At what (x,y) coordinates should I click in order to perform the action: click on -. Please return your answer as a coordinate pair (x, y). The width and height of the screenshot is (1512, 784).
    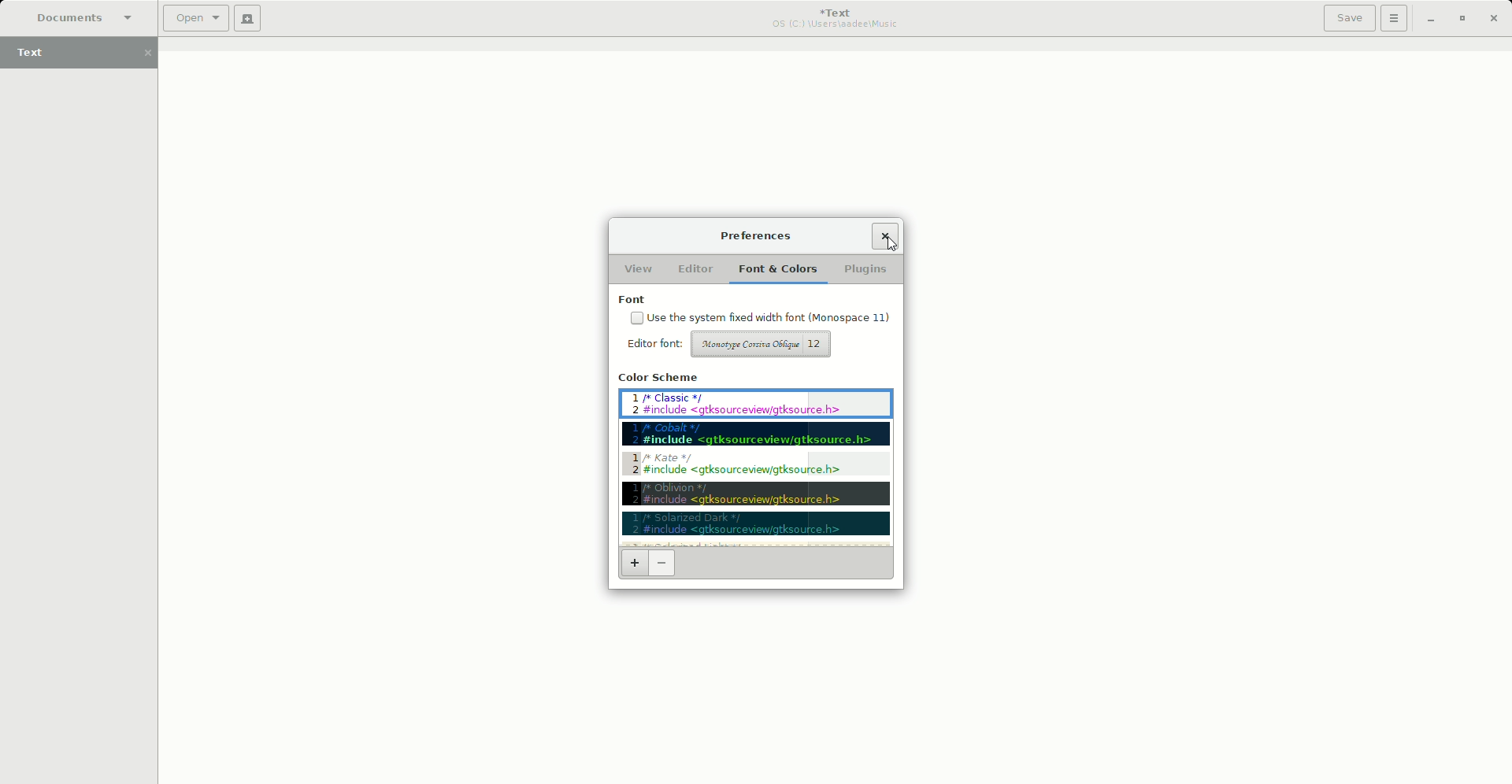
    Looking at the image, I should click on (665, 567).